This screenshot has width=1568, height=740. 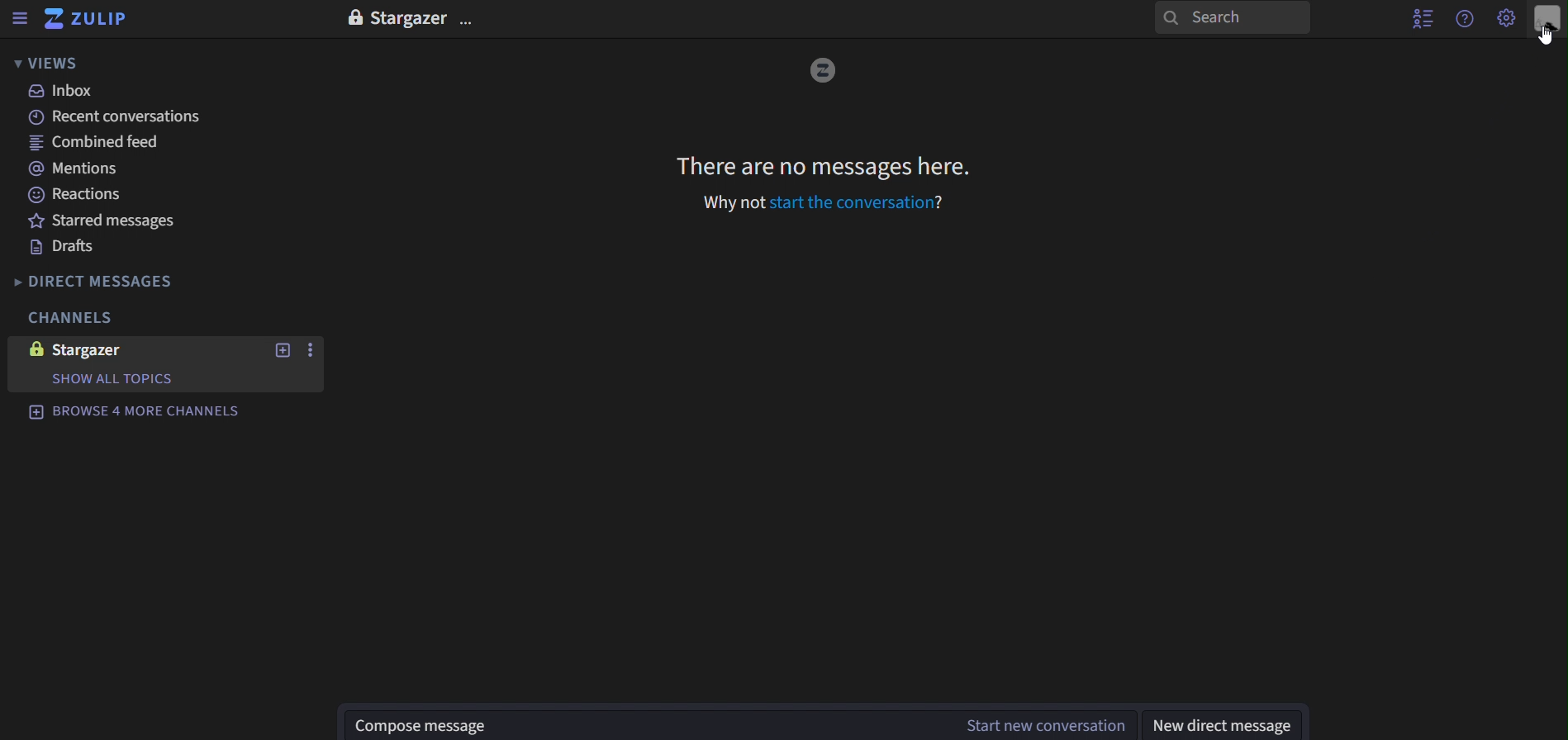 What do you see at coordinates (93, 20) in the screenshot?
I see `zulip` at bounding box center [93, 20].